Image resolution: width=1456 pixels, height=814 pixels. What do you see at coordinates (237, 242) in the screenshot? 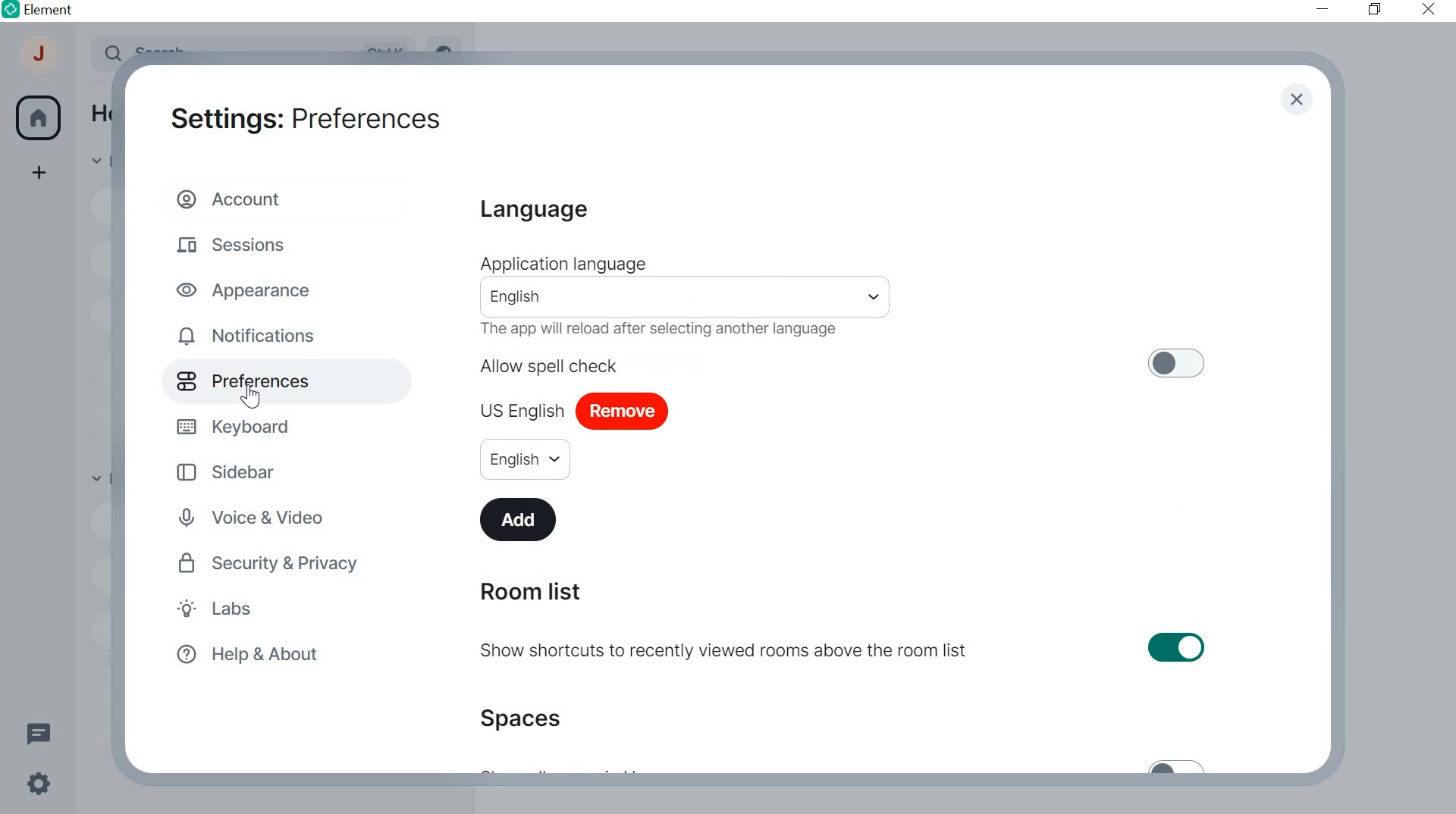
I see `SESSIONS` at bounding box center [237, 242].